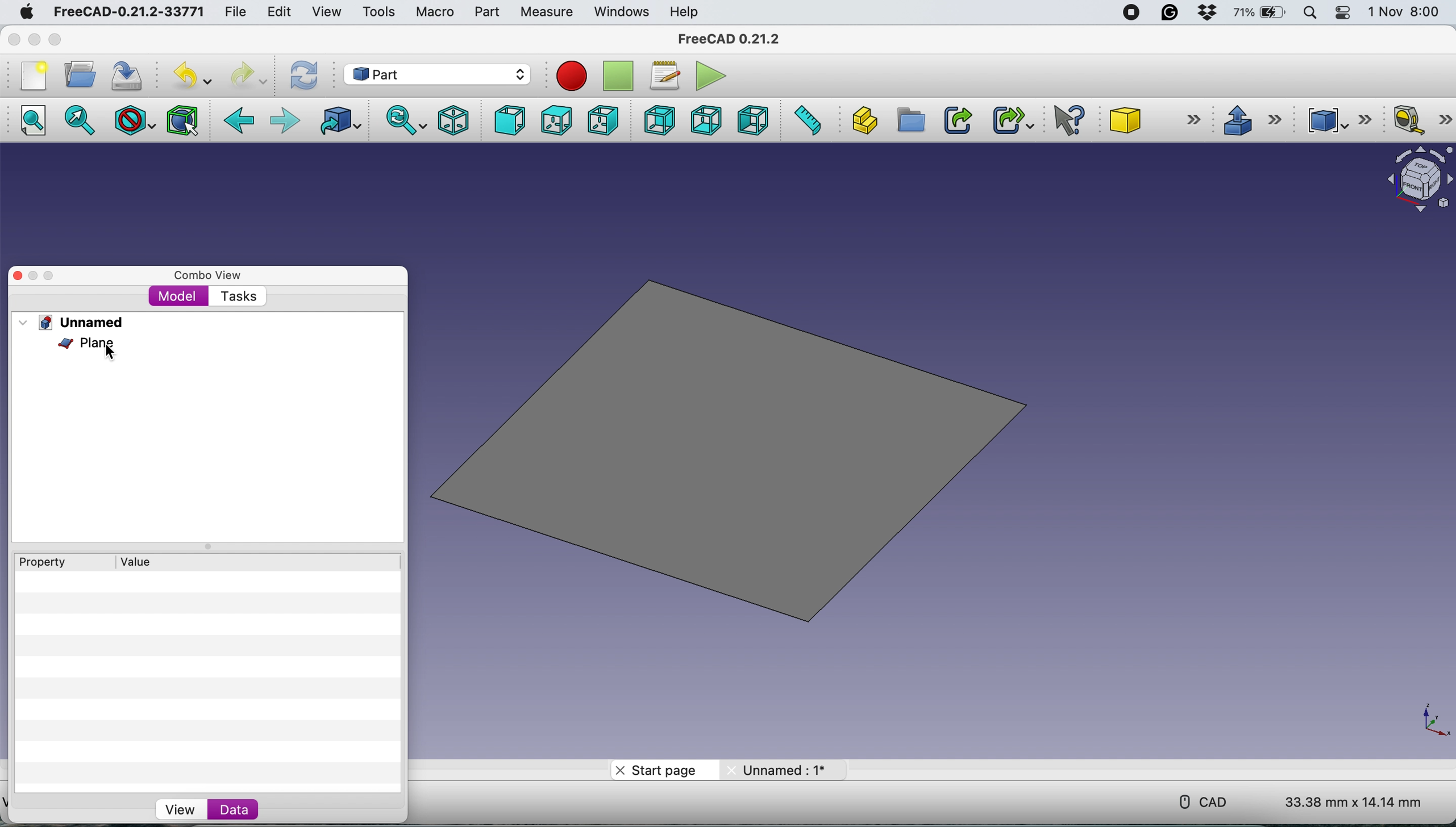 The height and width of the screenshot is (827, 1456). What do you see at coordinates (1342, 117) in the screenshot?
I see `compound tools` at bounding box center [1342, 117].